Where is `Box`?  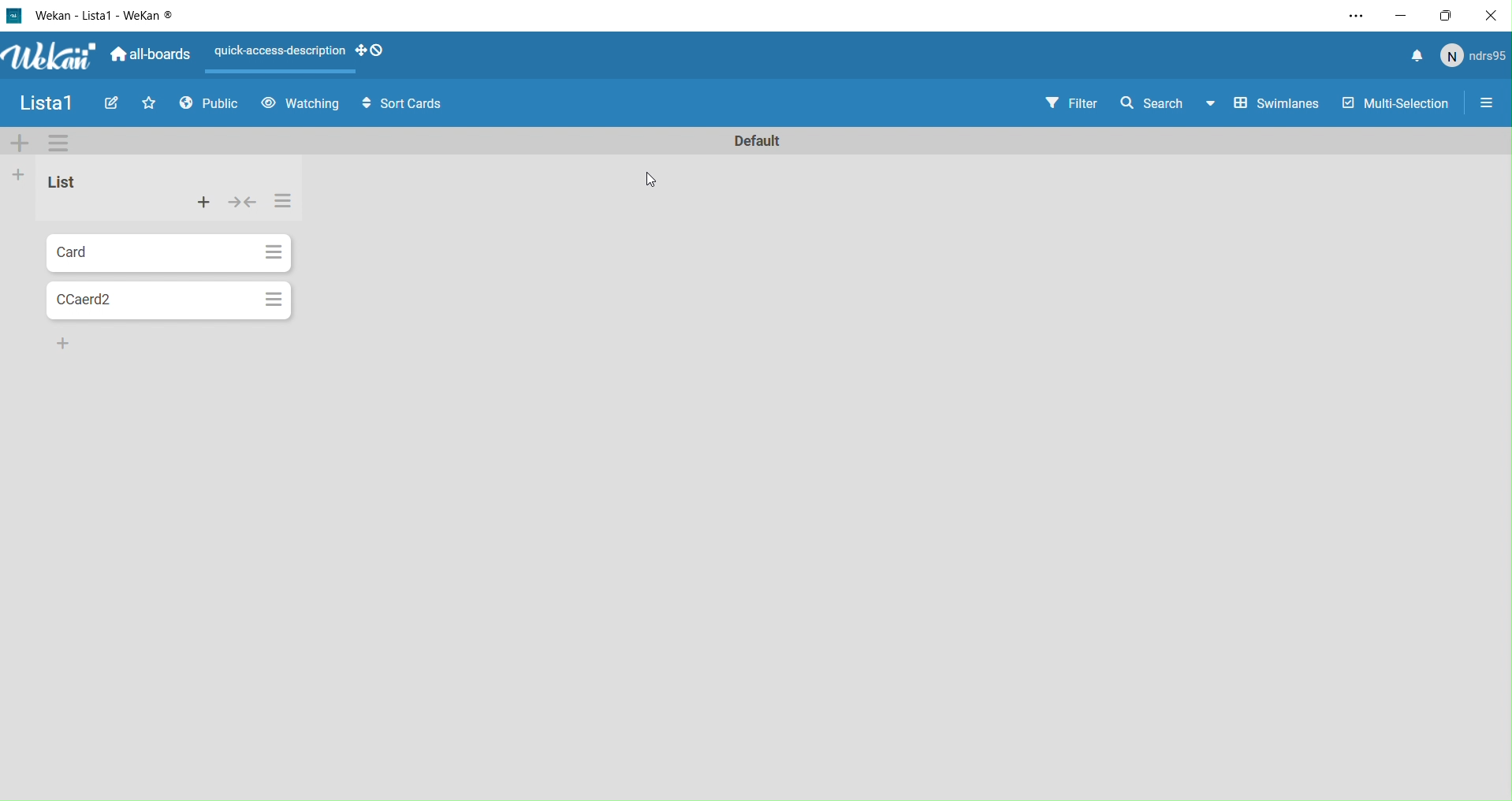
Box is located at coordinates (1448, 13).